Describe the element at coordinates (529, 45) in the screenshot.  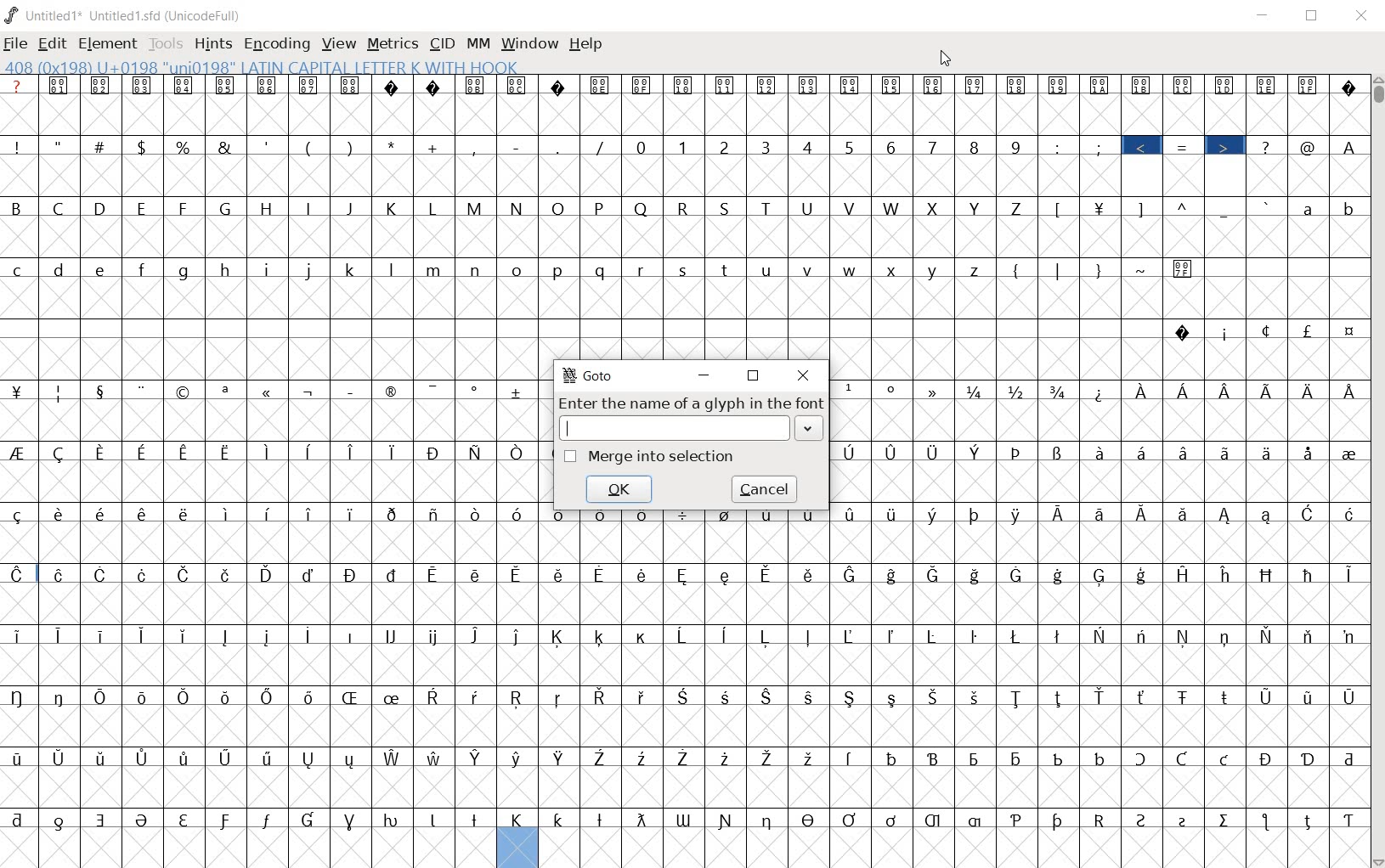
I see `window` at that location.